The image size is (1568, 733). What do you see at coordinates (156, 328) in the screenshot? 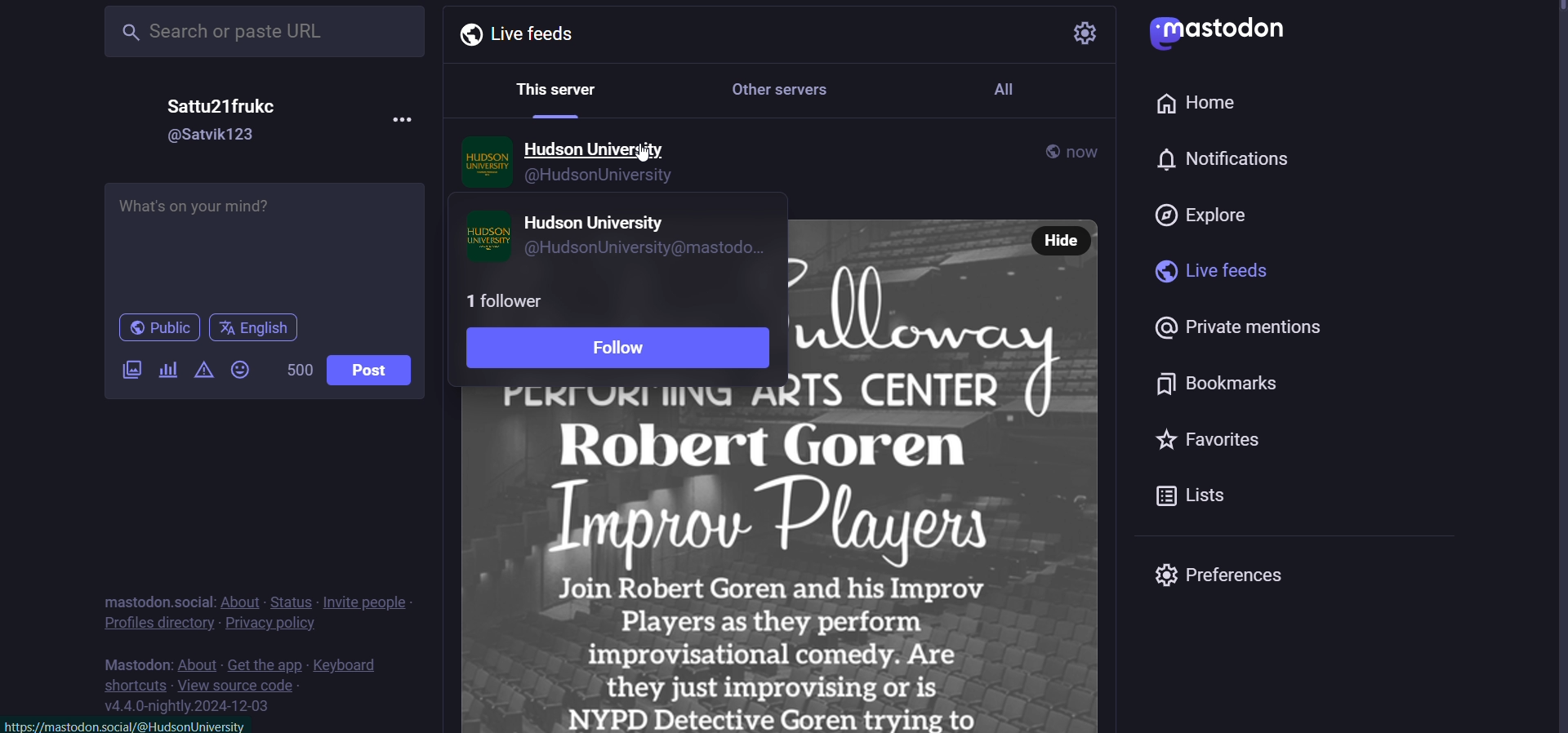
I see `public` at bounding box center [156, 328].